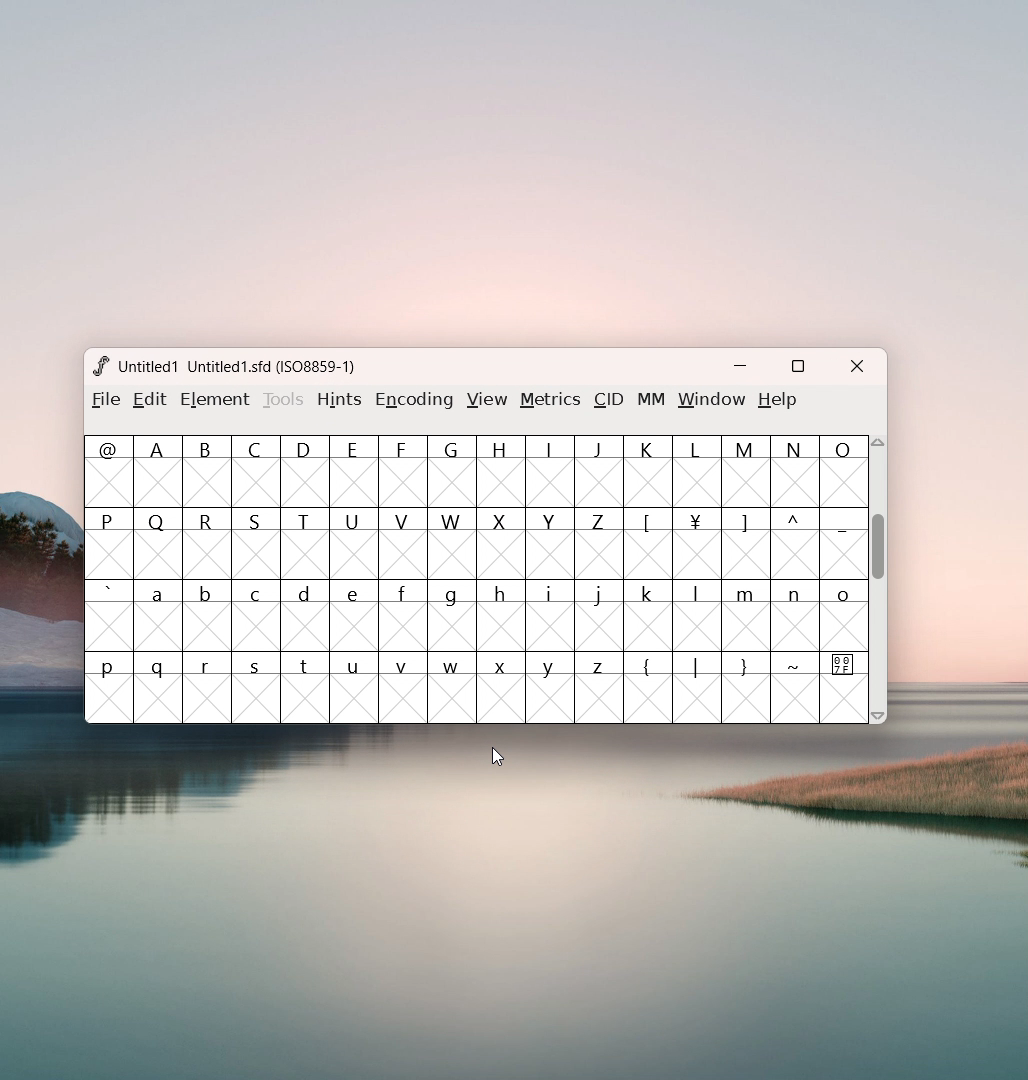 The width and height of the screenshot is (1028, 1080). I want to click on close, so click(854, 366).